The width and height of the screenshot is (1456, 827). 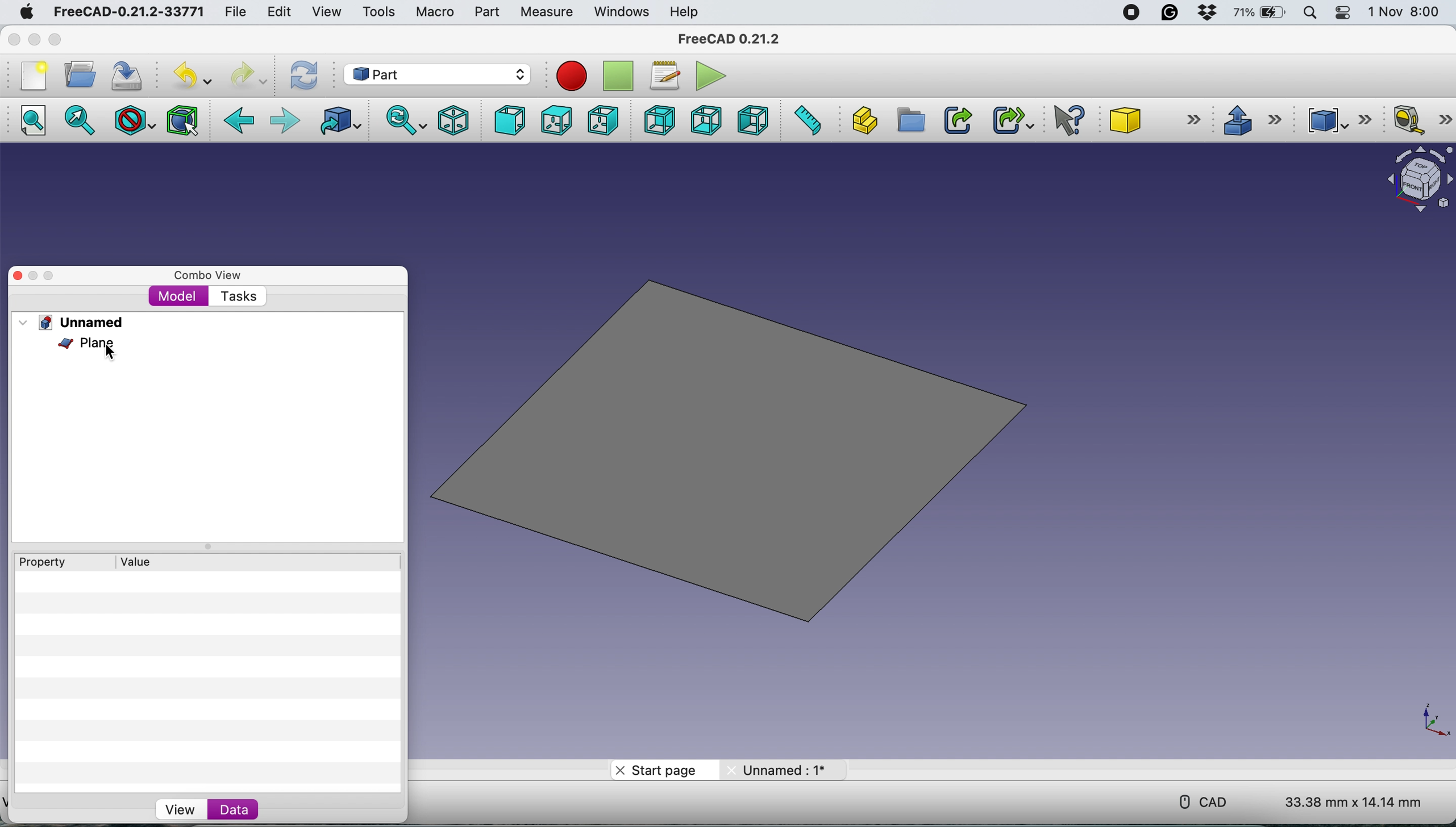 What do you see at coordinates (34, 39) in the screenshot?
I see `minimise` at bounding box center [34, 39].